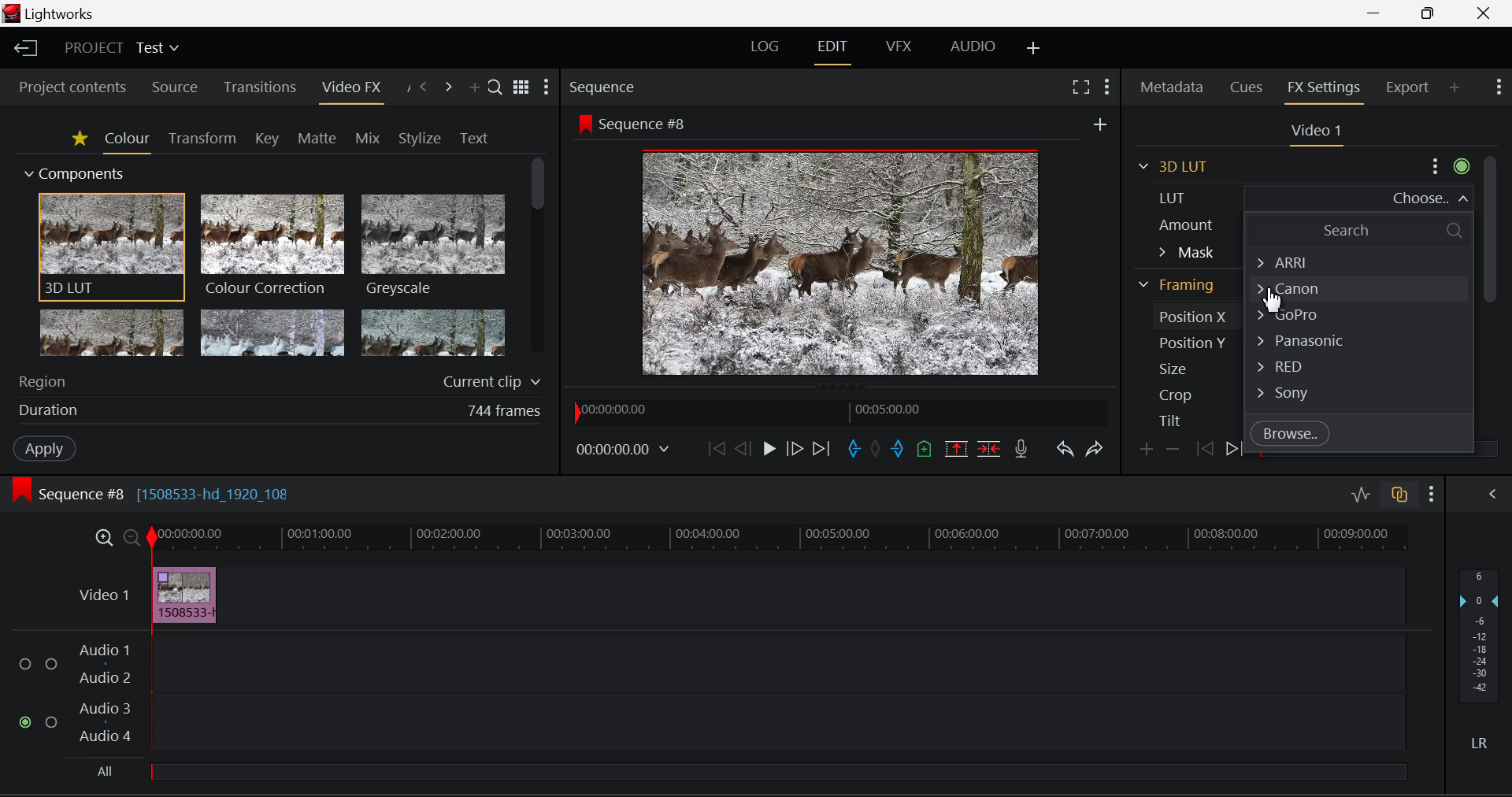 Image resolution: width=1512 pixels, height=797 pixels. I want to click on EDIT Layout, so click(831, 50).